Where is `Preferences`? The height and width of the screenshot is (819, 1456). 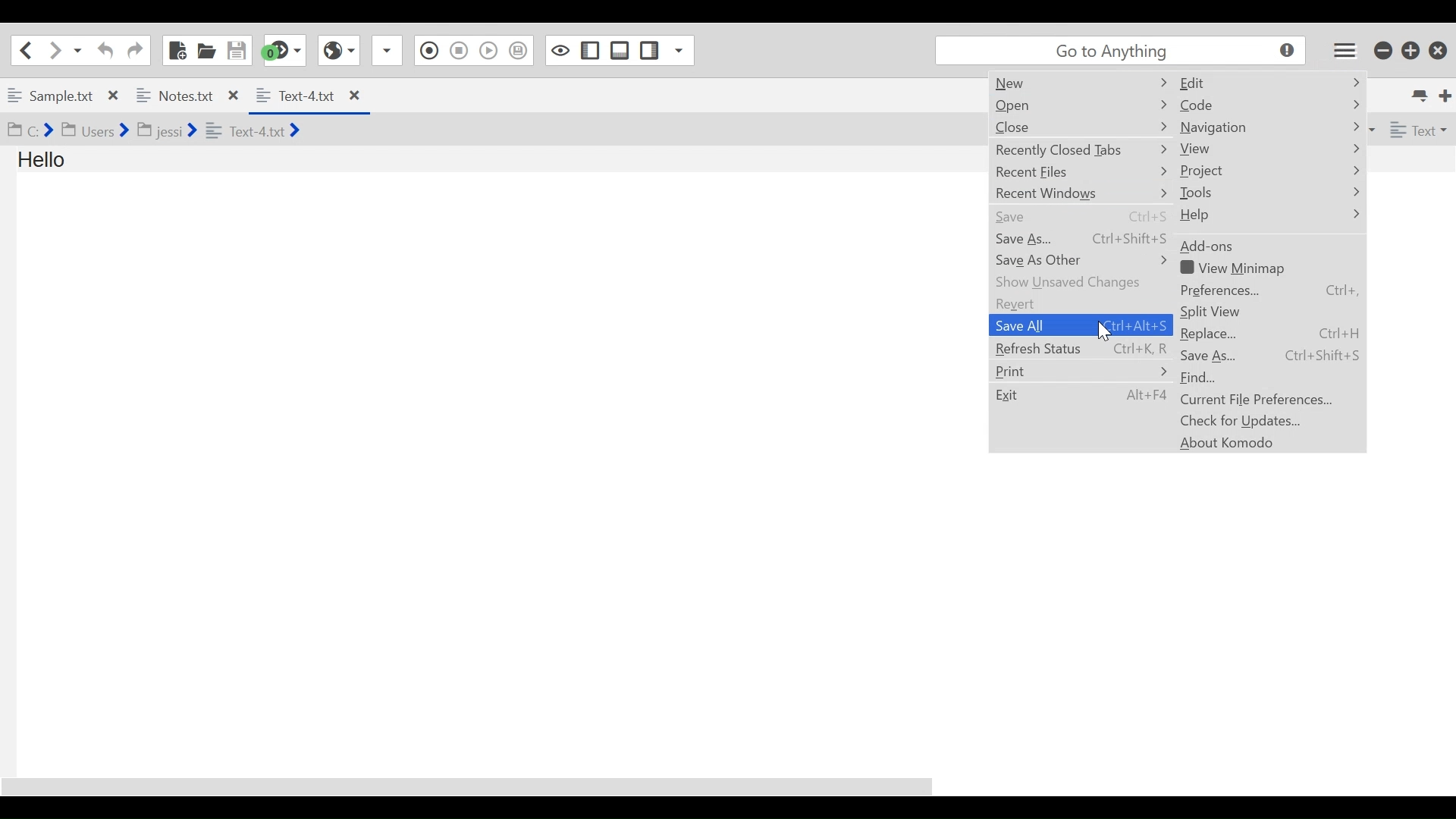
Preferences is located at coordinates (1269, 290).